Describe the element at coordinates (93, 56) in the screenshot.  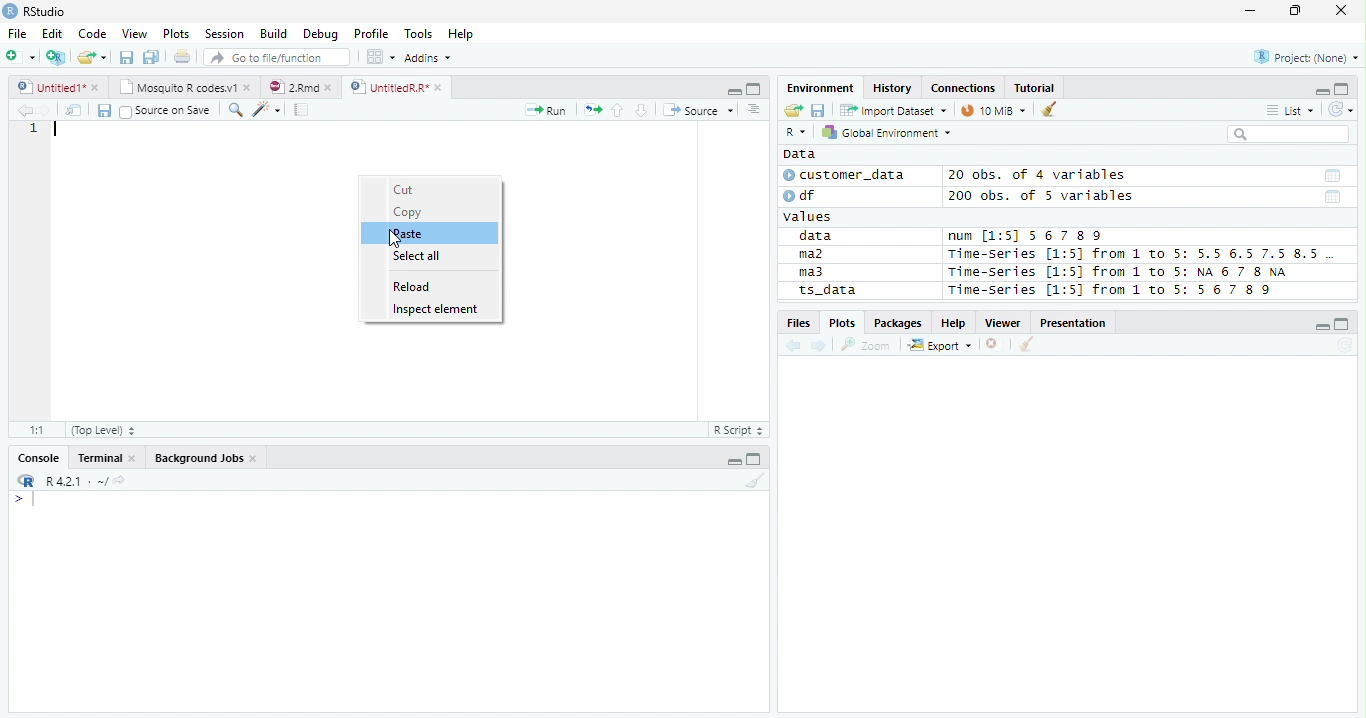
I see `Open Folder` at that location.